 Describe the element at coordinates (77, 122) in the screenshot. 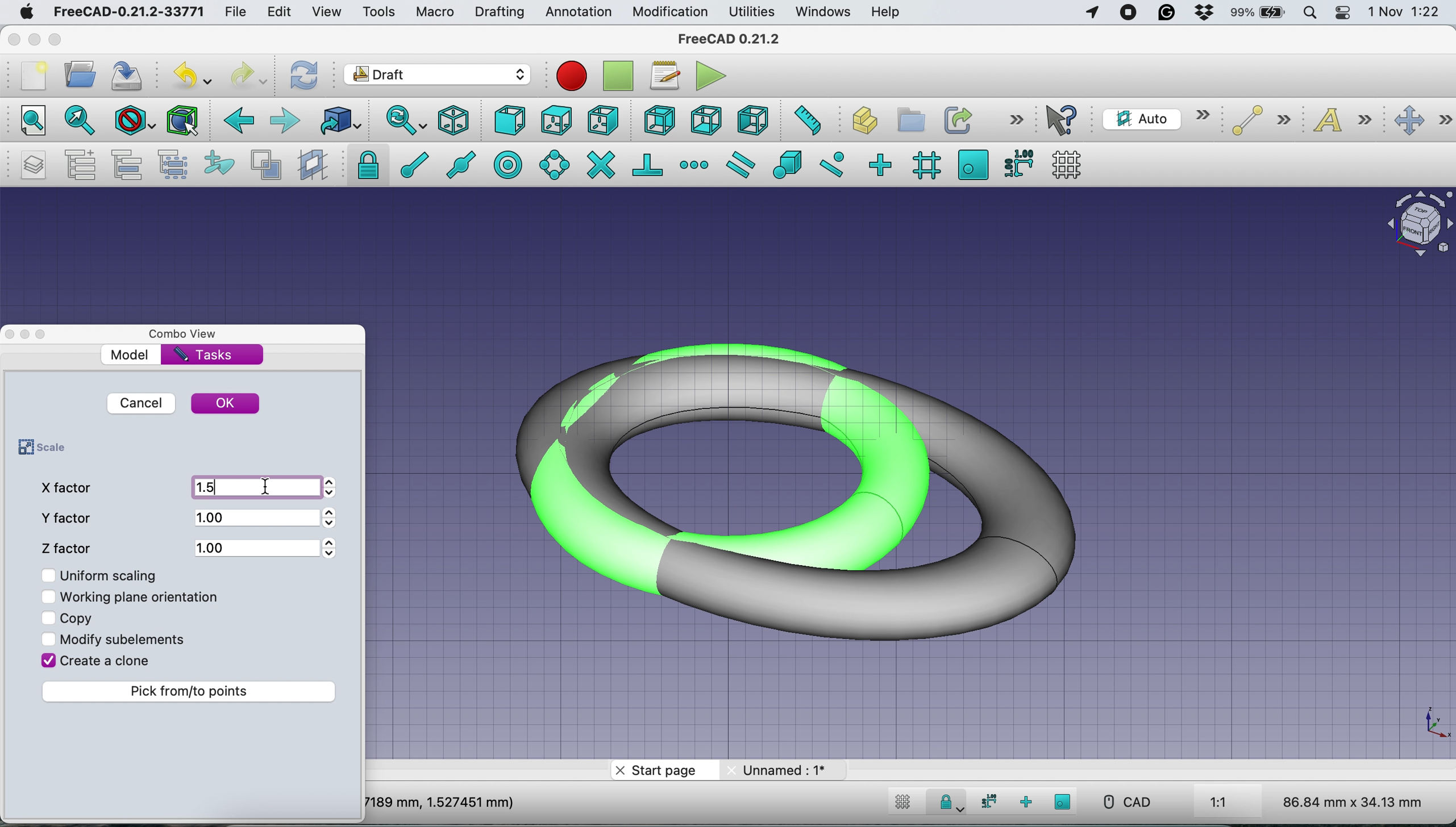

I see `fit all selection` at that location.